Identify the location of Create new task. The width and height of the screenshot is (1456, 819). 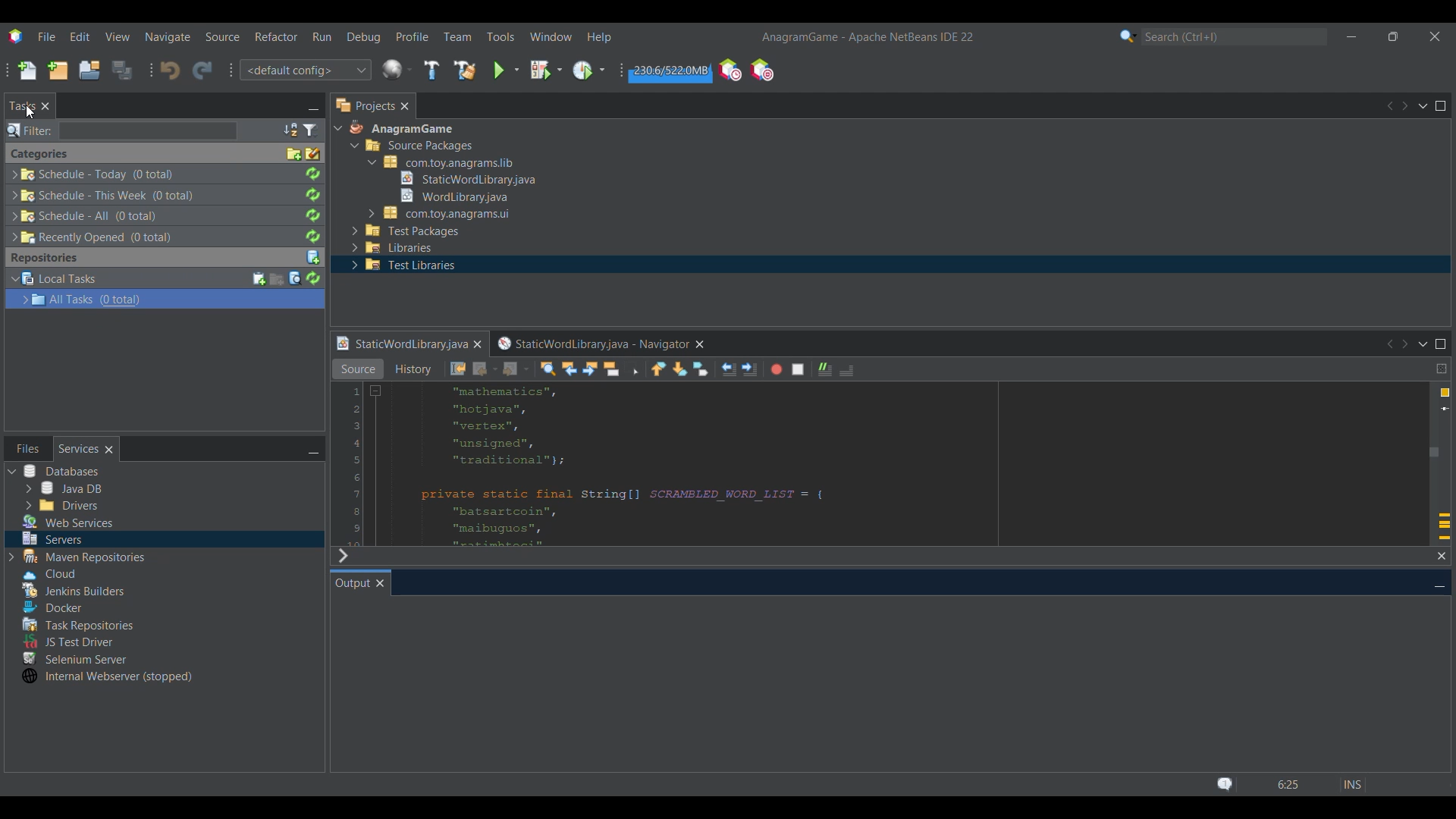
(259, 279).